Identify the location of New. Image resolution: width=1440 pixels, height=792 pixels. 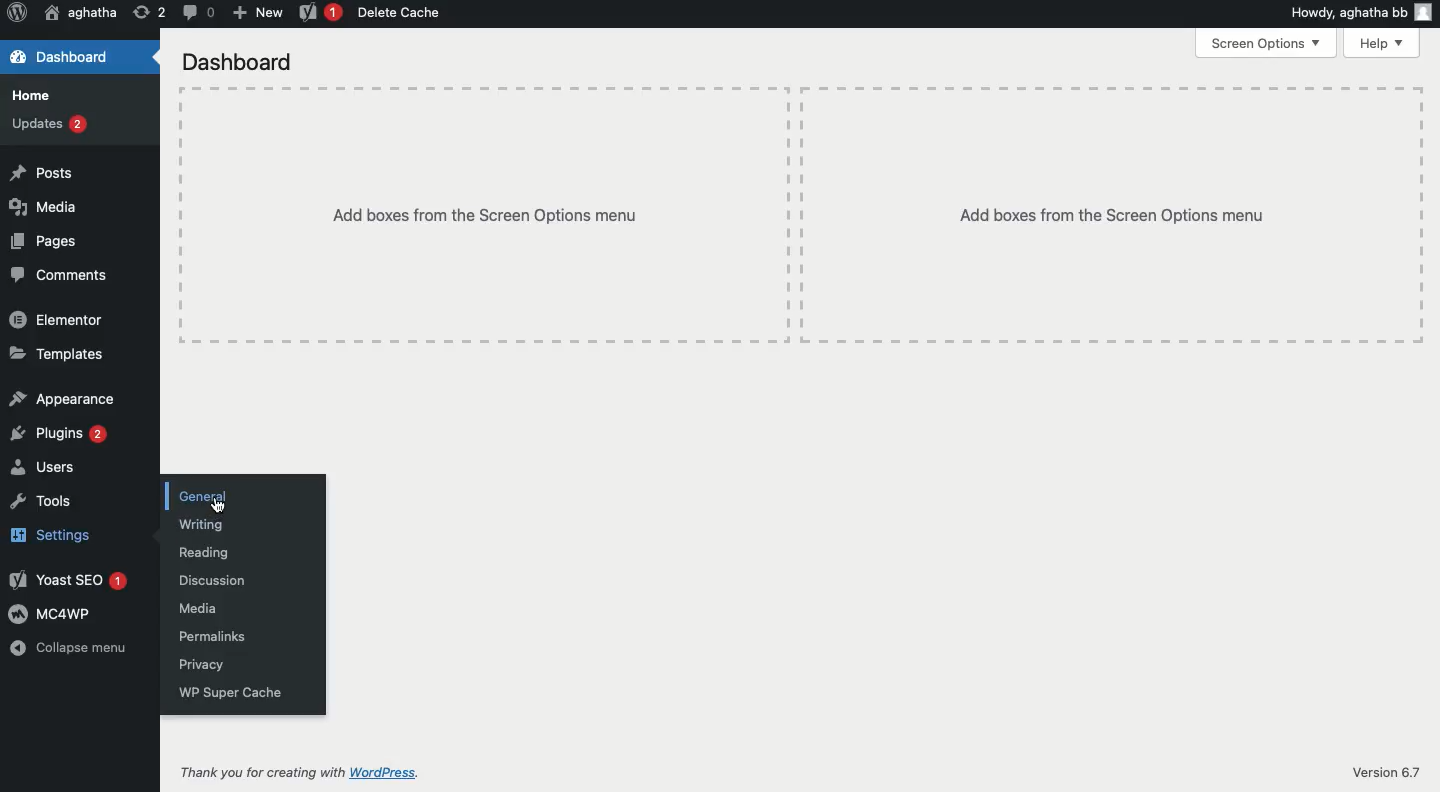
(254, 12).